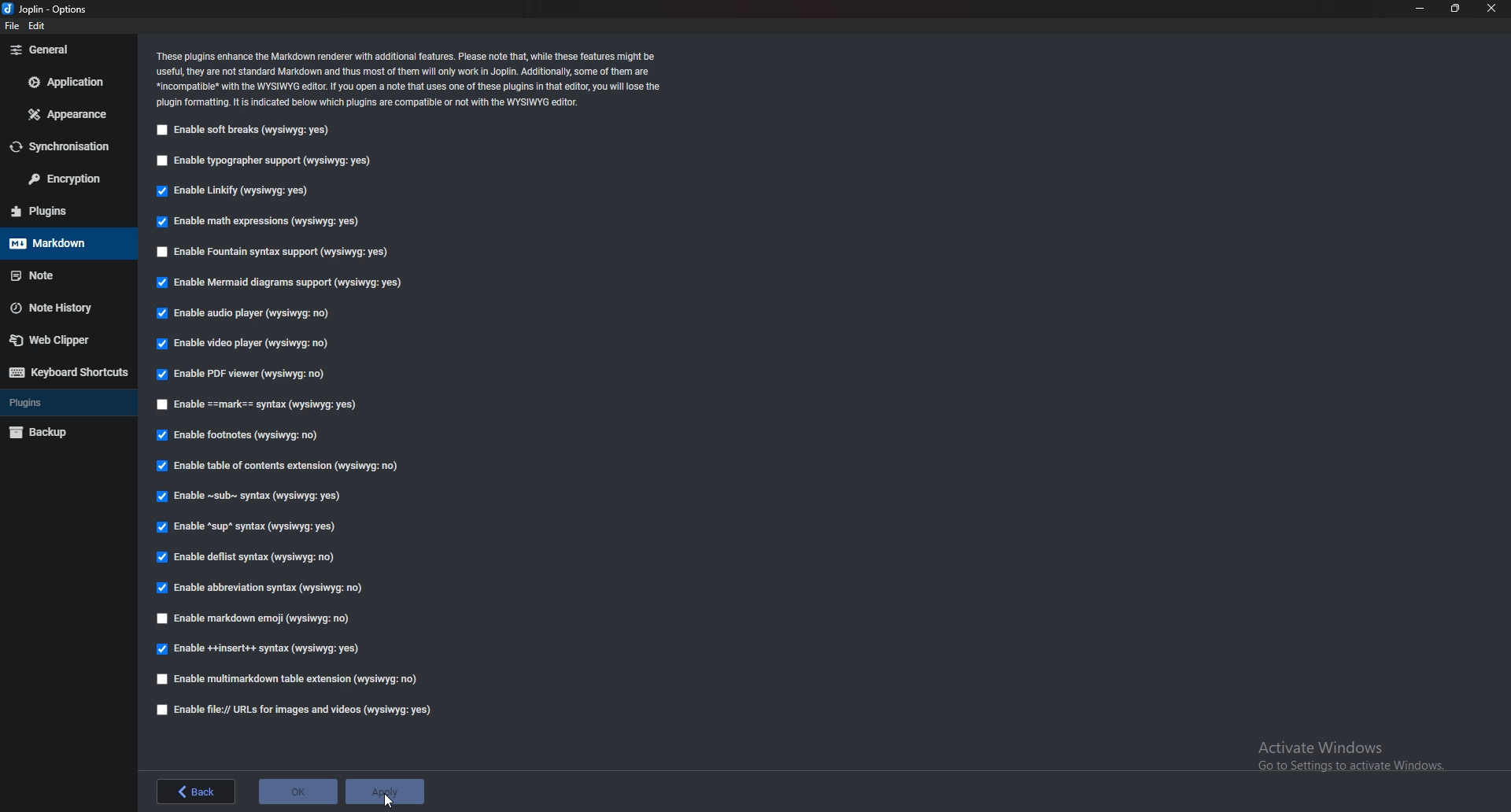  What do you see at coordinates (269, 405) in the screenshot?
I see `Enable Mark Syntax` at bounding box center [269, 405].